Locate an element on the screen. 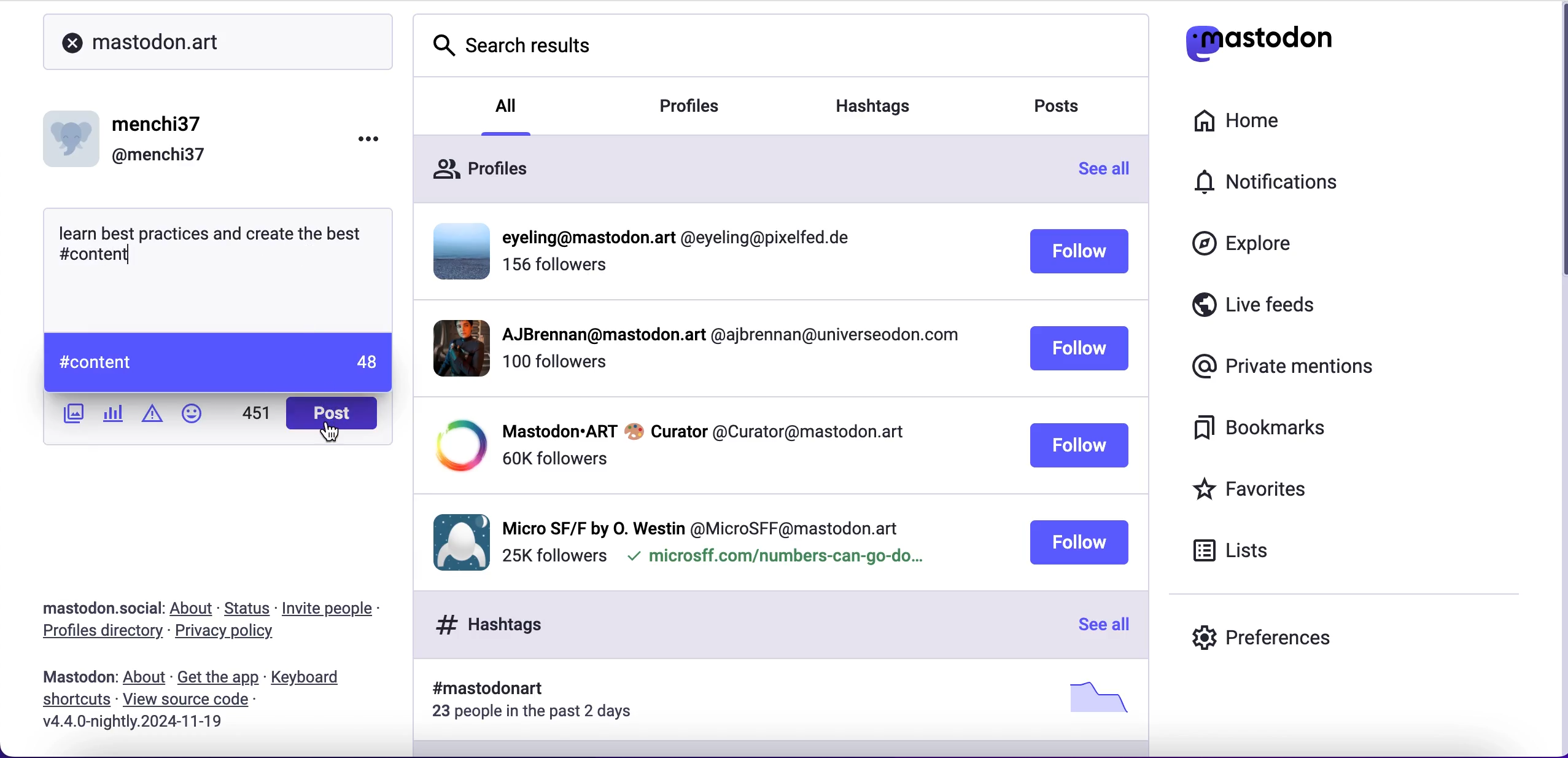 This screenshot has width=1568, height=758. display picture is located at coordinates (456, 540).